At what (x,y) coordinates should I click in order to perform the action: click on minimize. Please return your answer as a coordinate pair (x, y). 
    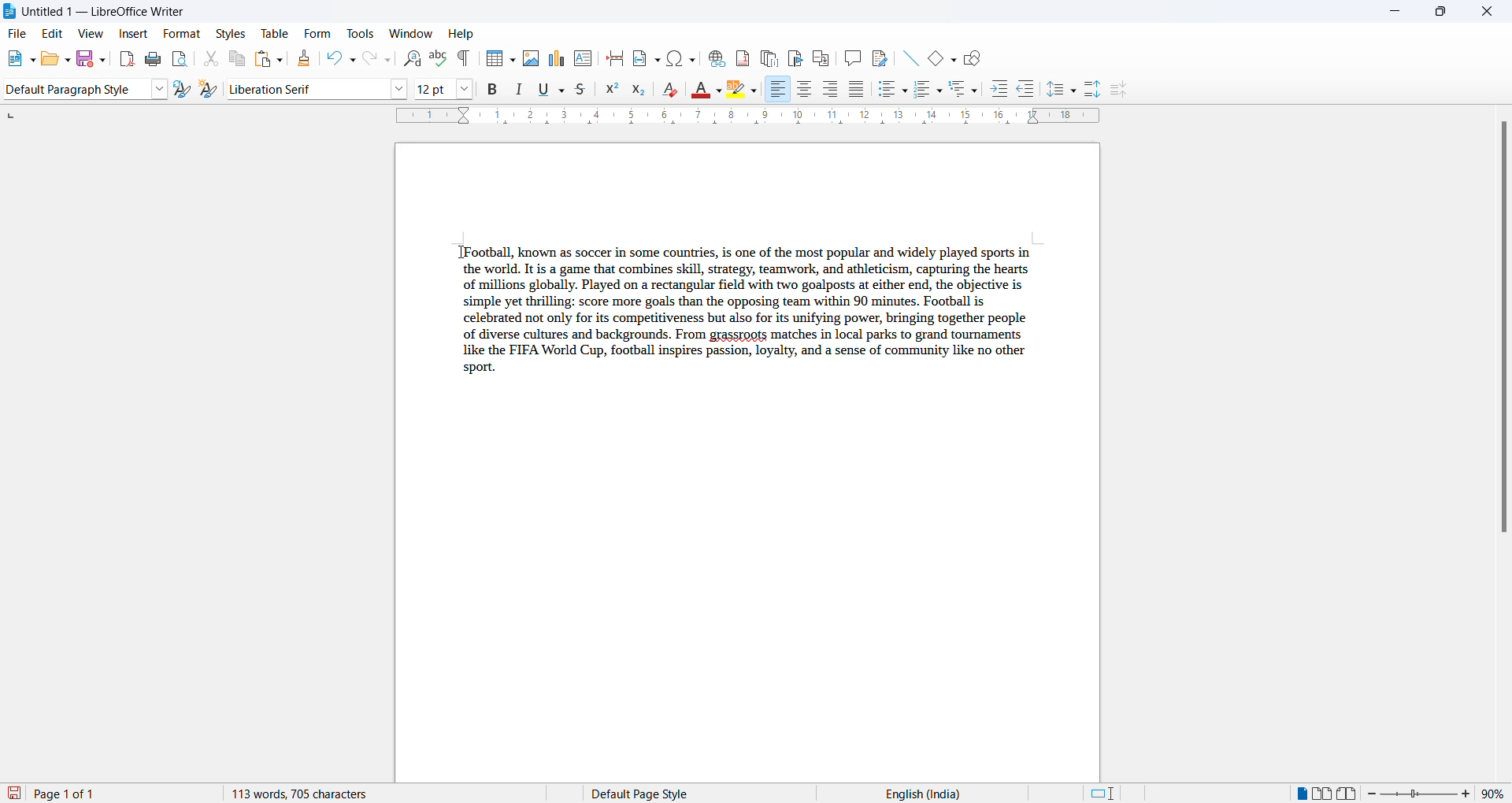
    Looking at the image, I should click on (1388, 12).